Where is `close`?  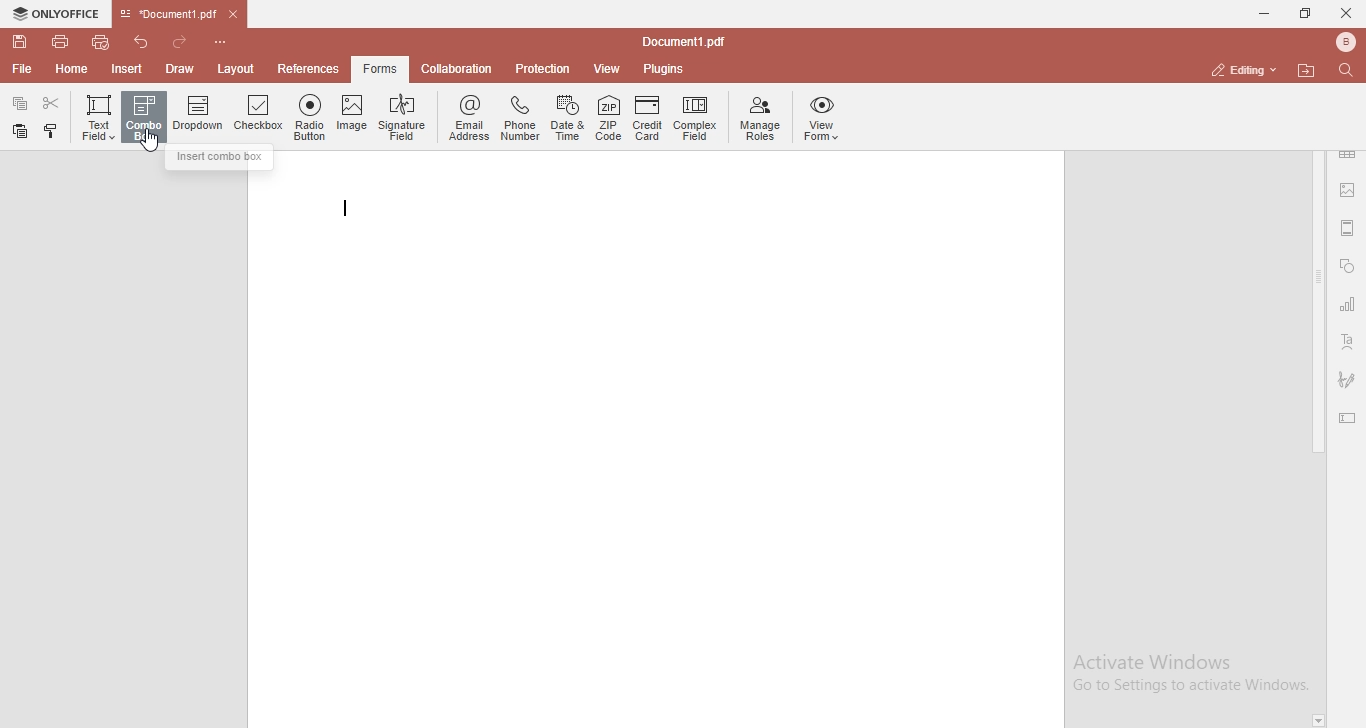
close is located at coordinates (1346, 12).